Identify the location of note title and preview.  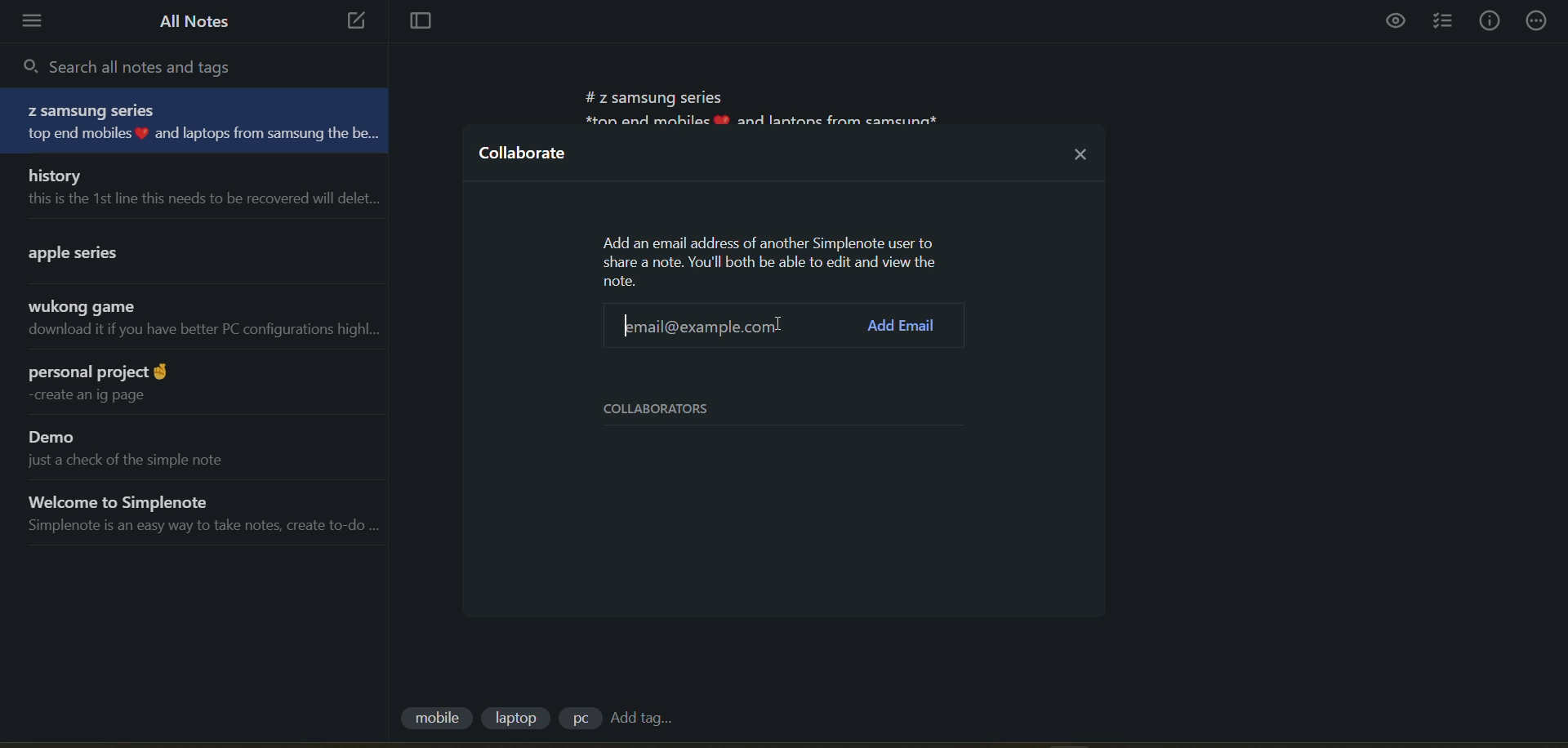
(194, 186).